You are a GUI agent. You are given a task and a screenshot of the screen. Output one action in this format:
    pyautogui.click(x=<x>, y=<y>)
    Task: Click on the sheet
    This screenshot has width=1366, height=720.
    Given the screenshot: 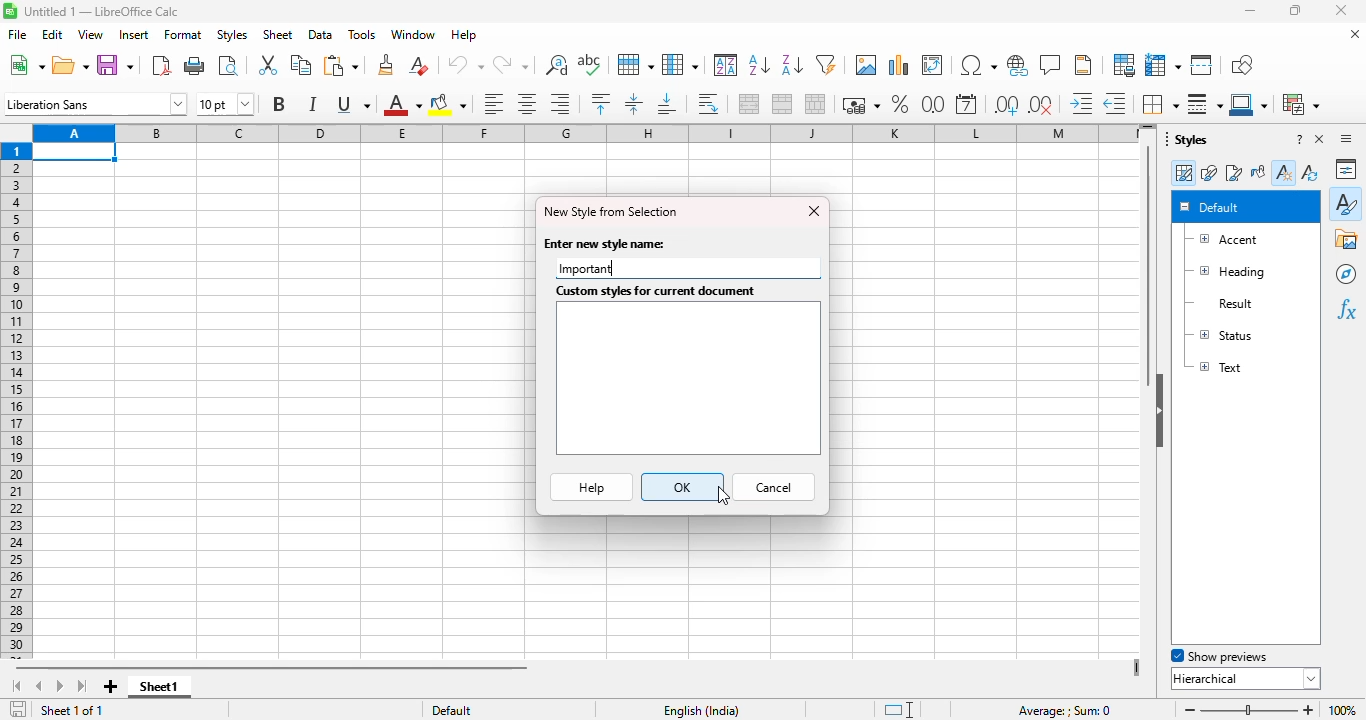 What is the action you would take?
    pyautogui.click(x=277, y=35)
    